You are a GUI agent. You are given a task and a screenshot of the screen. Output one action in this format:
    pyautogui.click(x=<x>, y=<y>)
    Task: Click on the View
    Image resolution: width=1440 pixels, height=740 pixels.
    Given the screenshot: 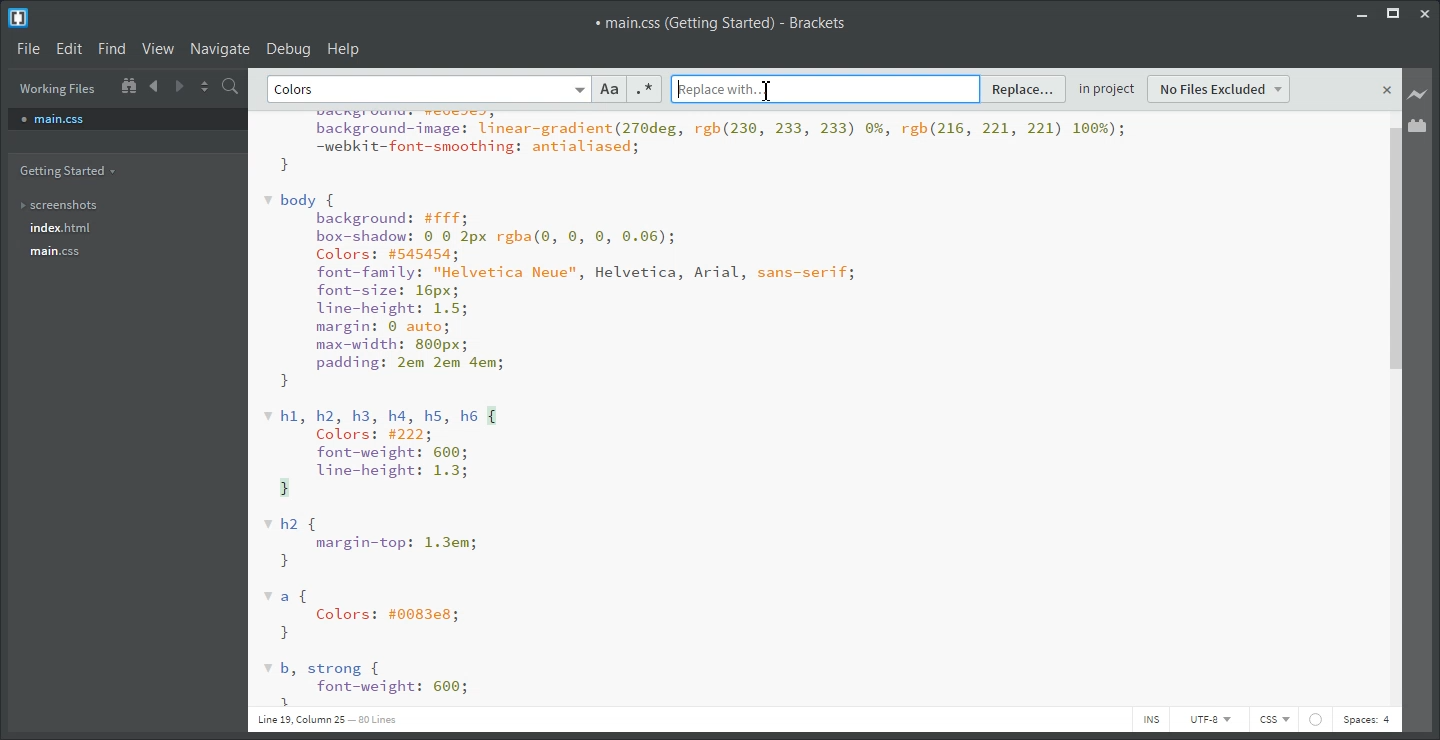 What is the action you would take?
    pyautogui.click(x=158, y=48)
    